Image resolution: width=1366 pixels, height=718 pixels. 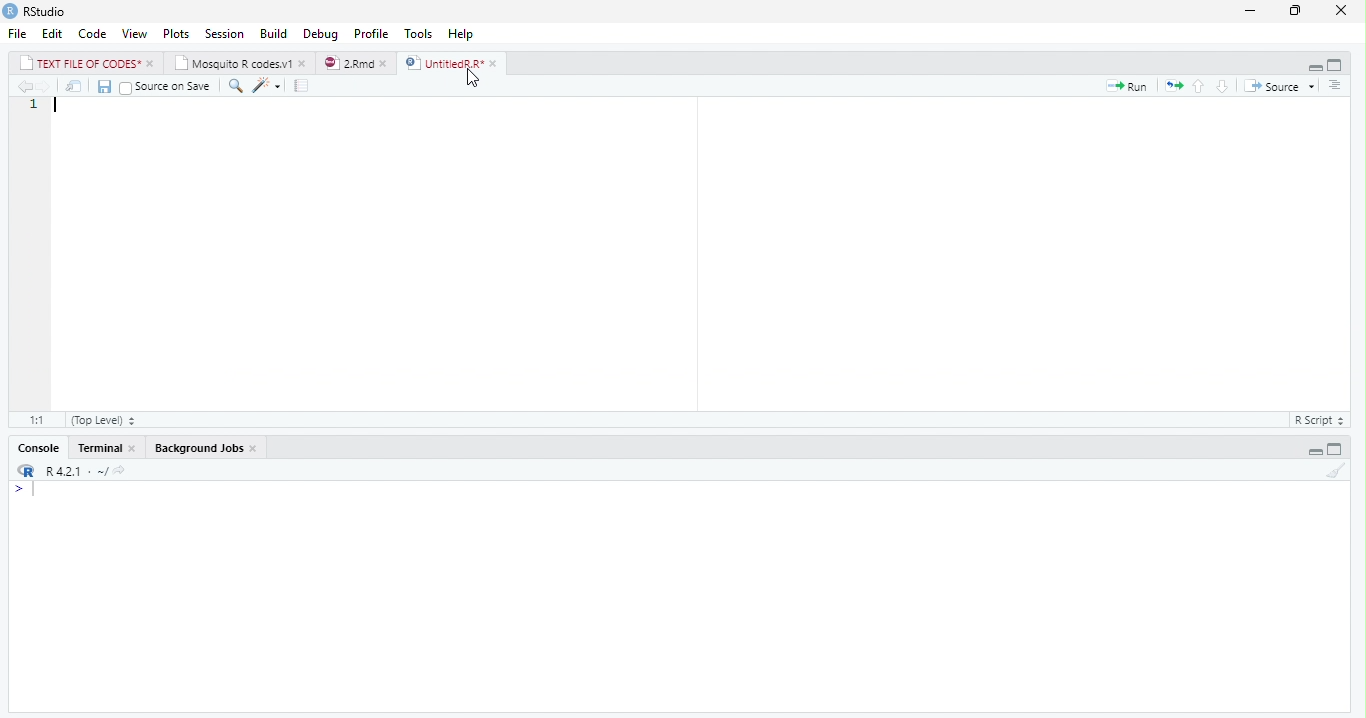 What do you see at coordinates (304, 64) in the screenshot?
I see `close` at bounding box center [304, 64].